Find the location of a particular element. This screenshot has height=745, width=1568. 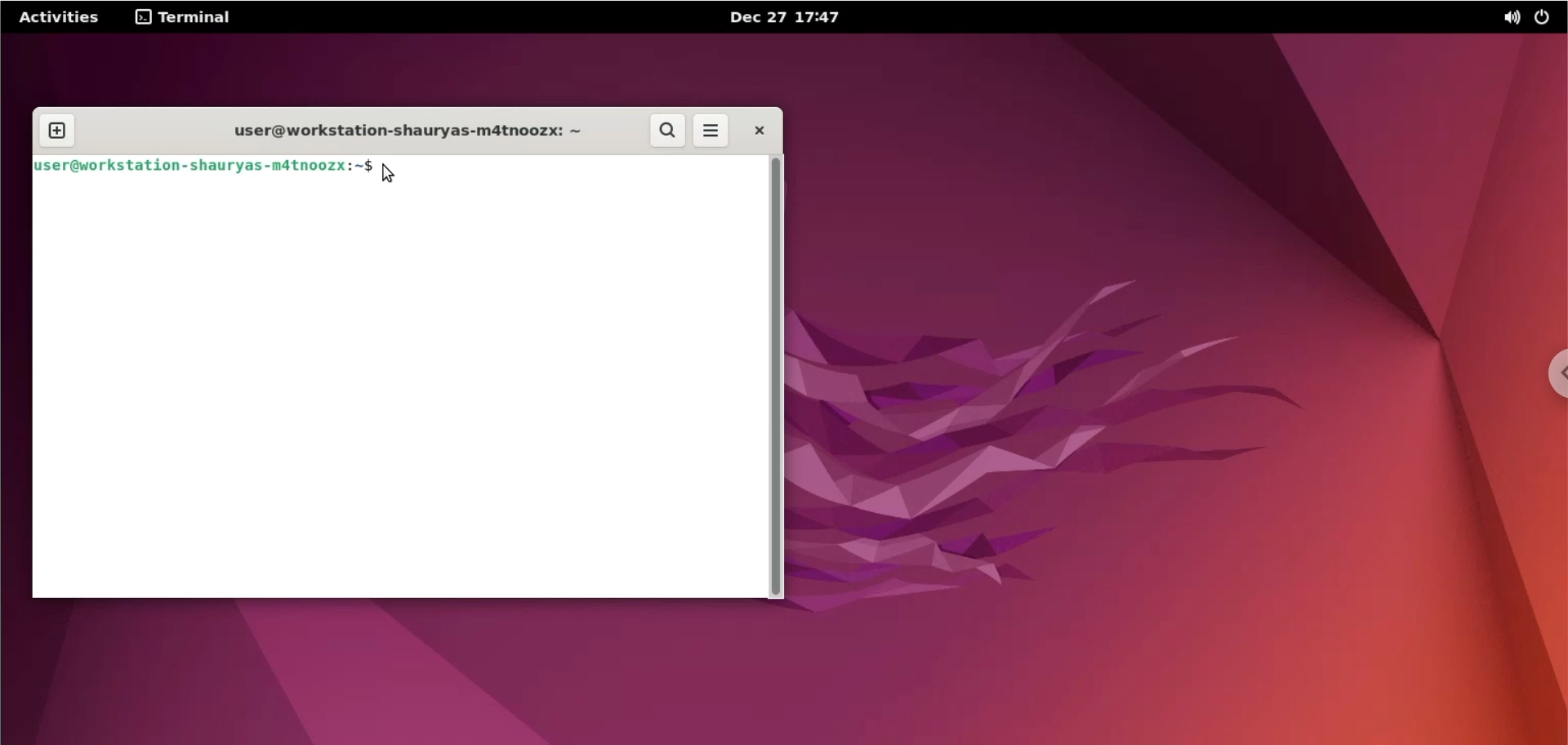

user@workstation-shauryas-m4tnoozx:~$ is located at coordinates (203, 164).